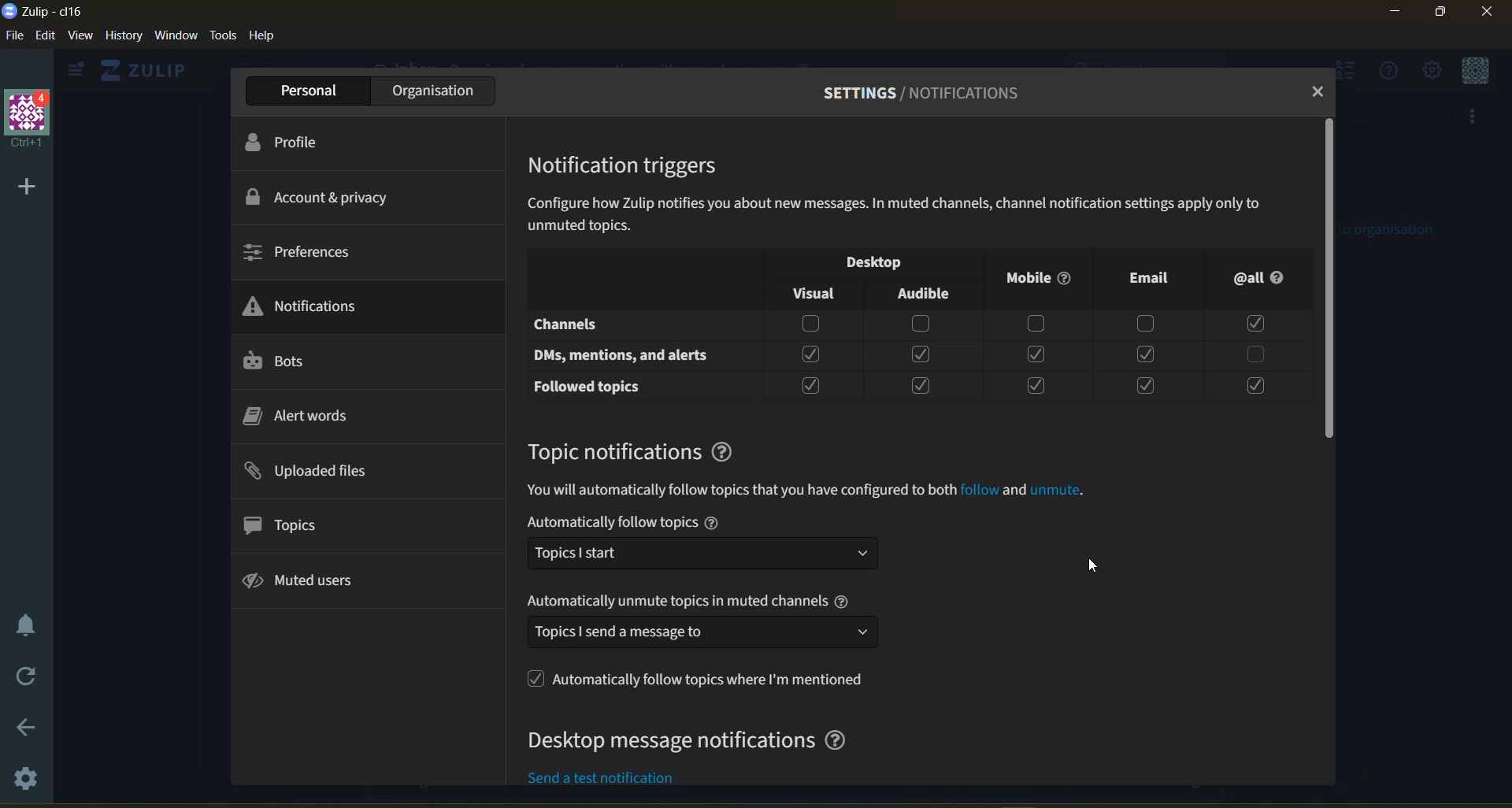 This screenshot has height=808, width=1512. I want to click on muted users, so click(310, 584).